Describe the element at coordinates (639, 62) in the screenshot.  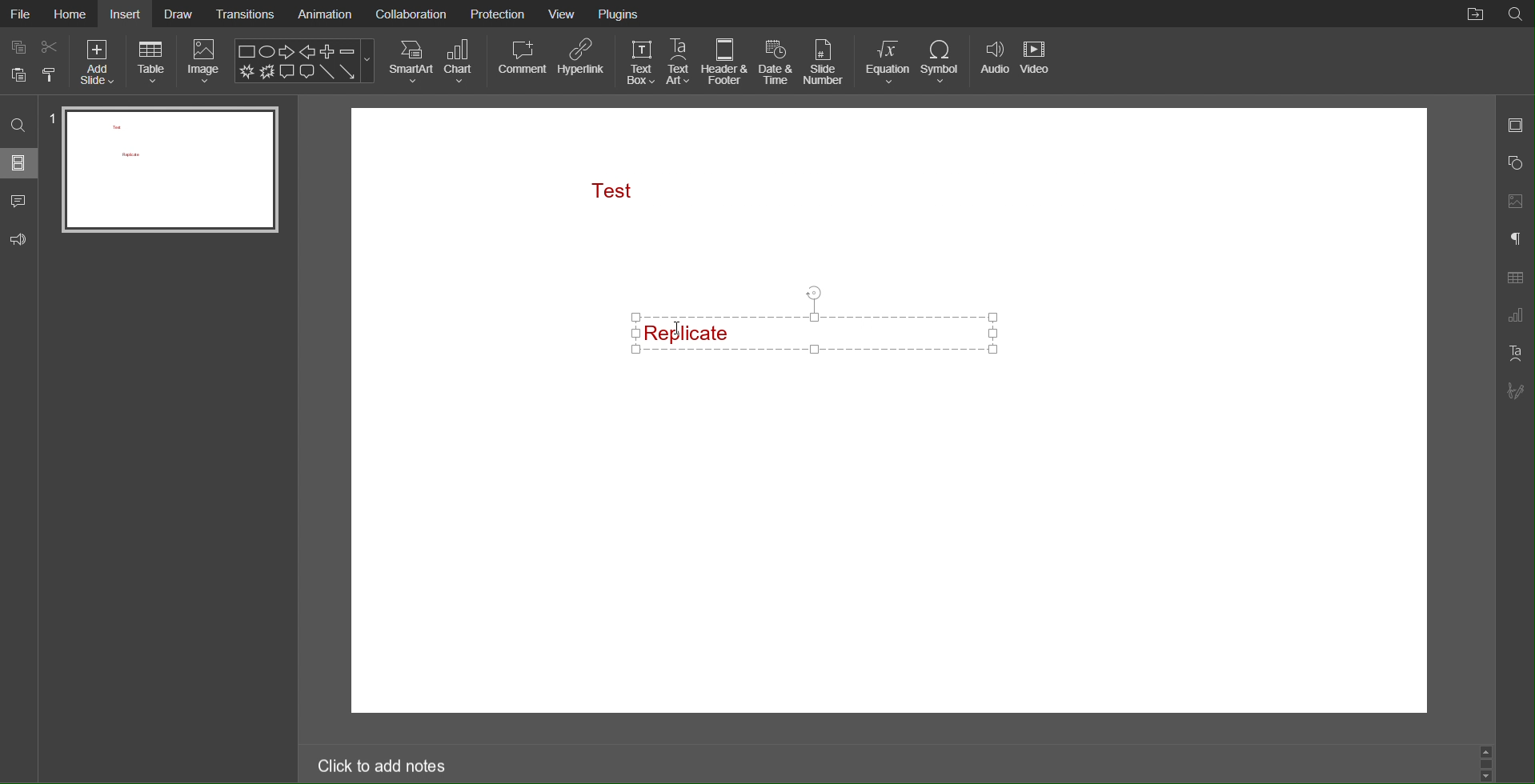
I see `Text Box` at that location.